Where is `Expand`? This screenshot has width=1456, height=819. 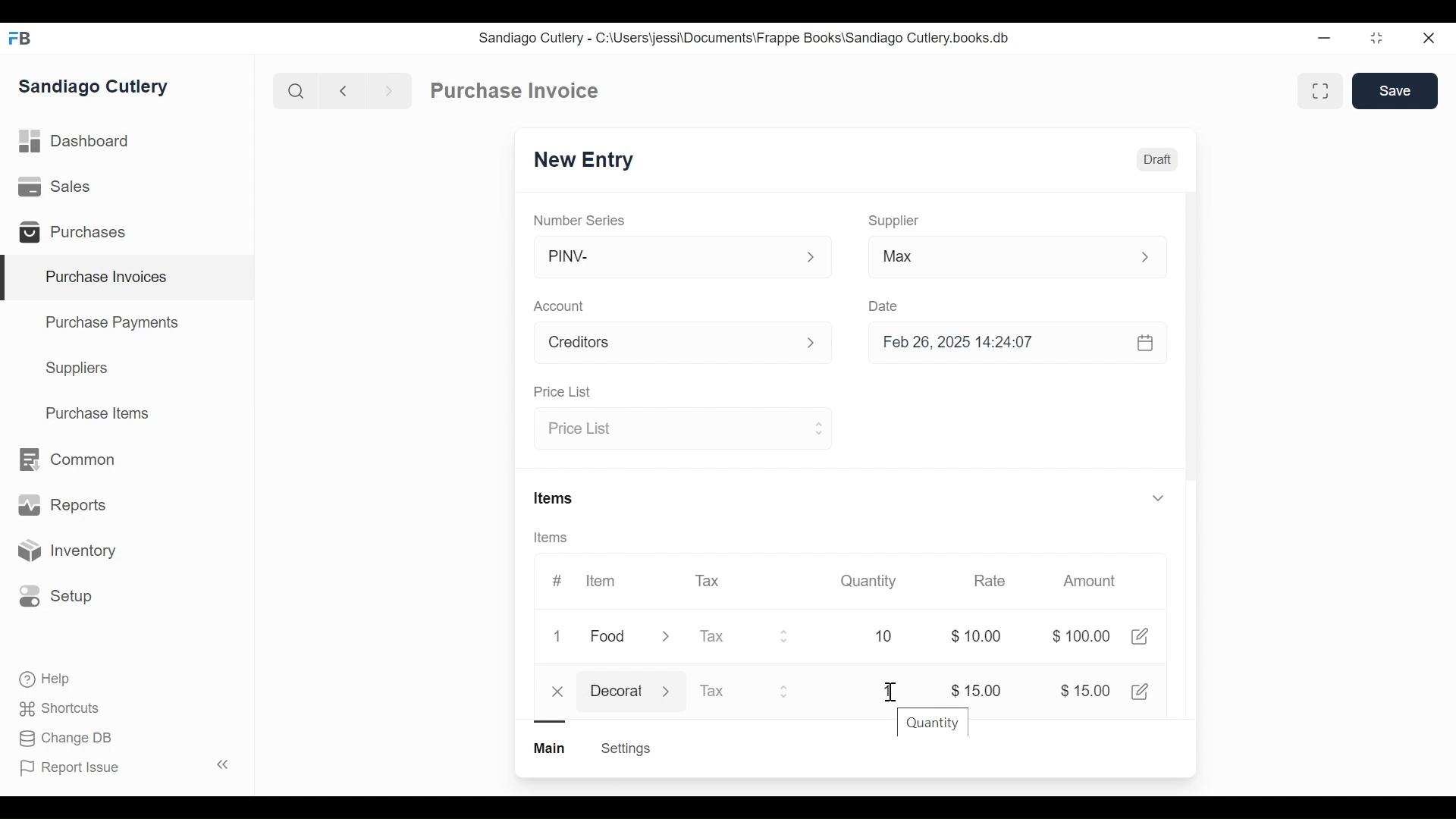 Expand is located at coordinates (1157, 497).